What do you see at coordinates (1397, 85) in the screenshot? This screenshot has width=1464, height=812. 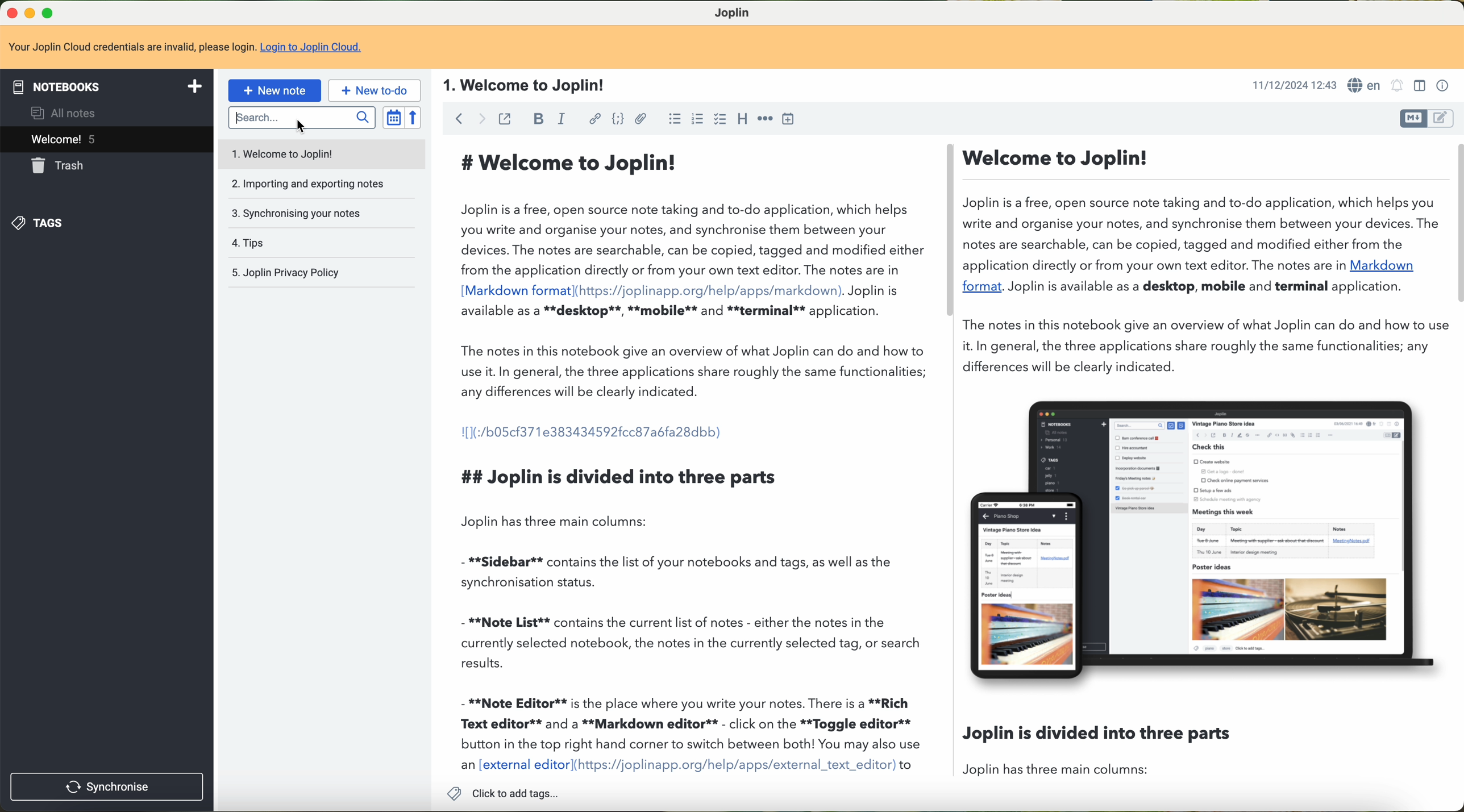 I see `set alarm` at bounding box center [1397, 85].